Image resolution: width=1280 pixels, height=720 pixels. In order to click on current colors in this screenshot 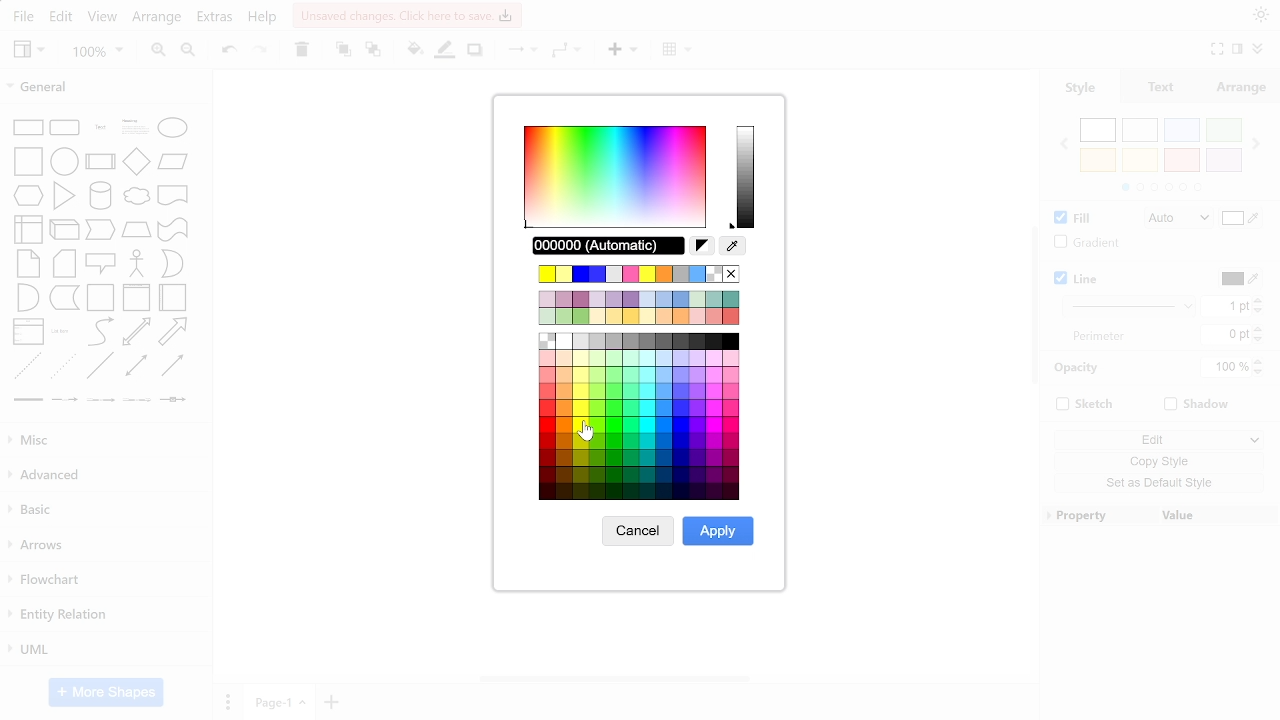, I will do `click(641, 308)`.